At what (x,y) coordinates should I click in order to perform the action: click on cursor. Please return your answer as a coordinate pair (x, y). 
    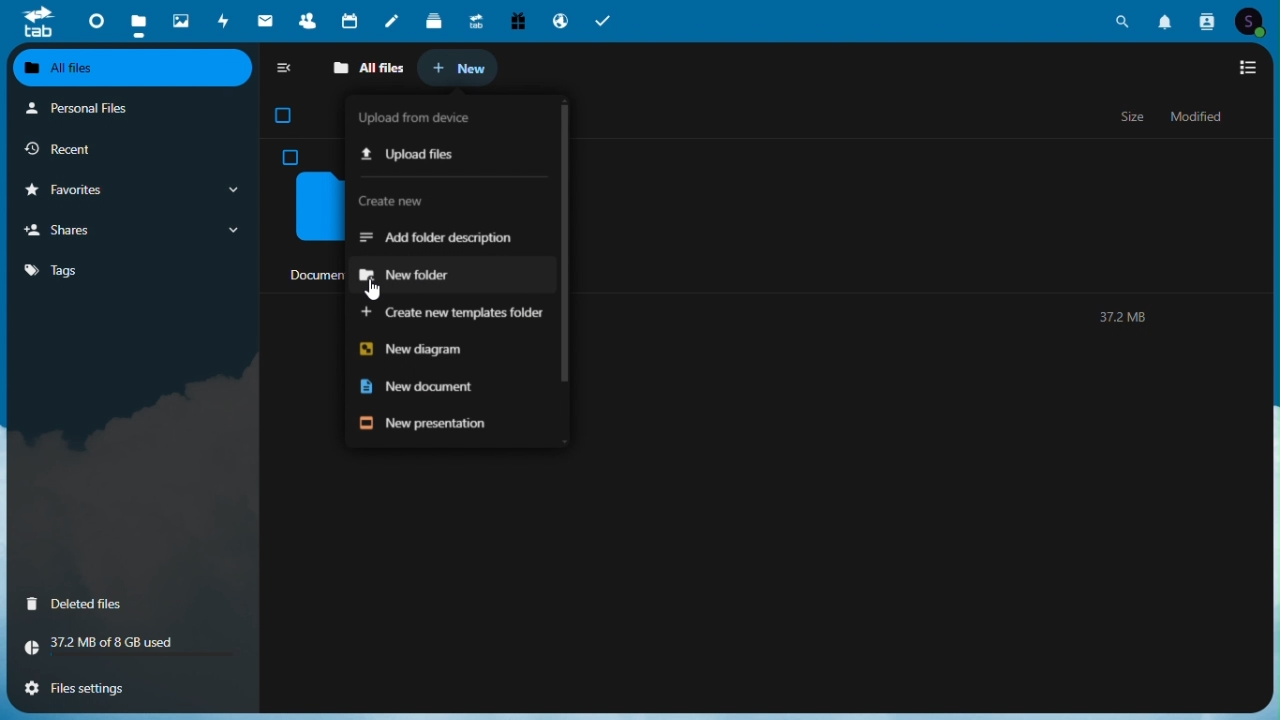
    Looking at the image, I should click on (377, 289).